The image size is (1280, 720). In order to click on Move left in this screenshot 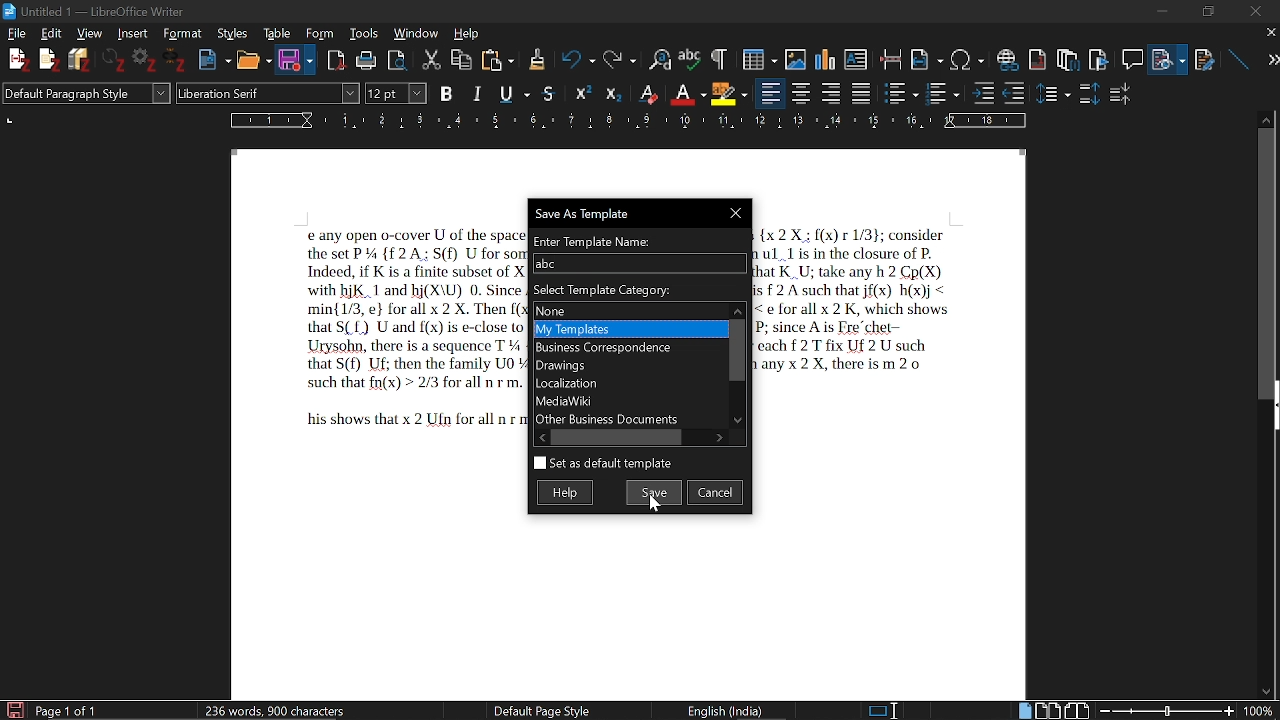, I will do `click(539, 437)`.